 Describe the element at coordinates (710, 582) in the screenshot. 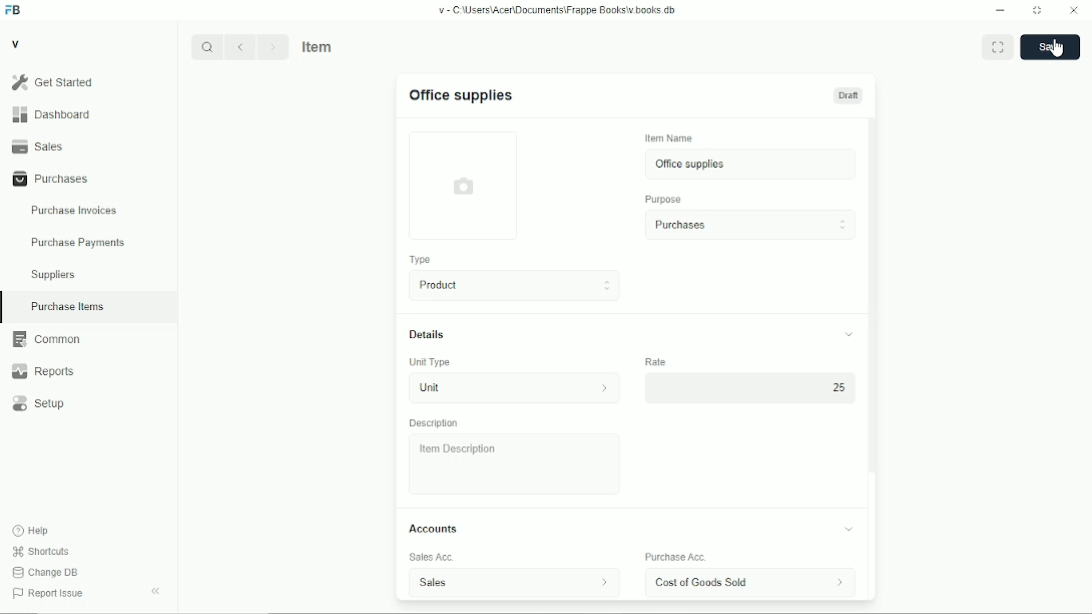

I see `cost of goods sold` at that location.